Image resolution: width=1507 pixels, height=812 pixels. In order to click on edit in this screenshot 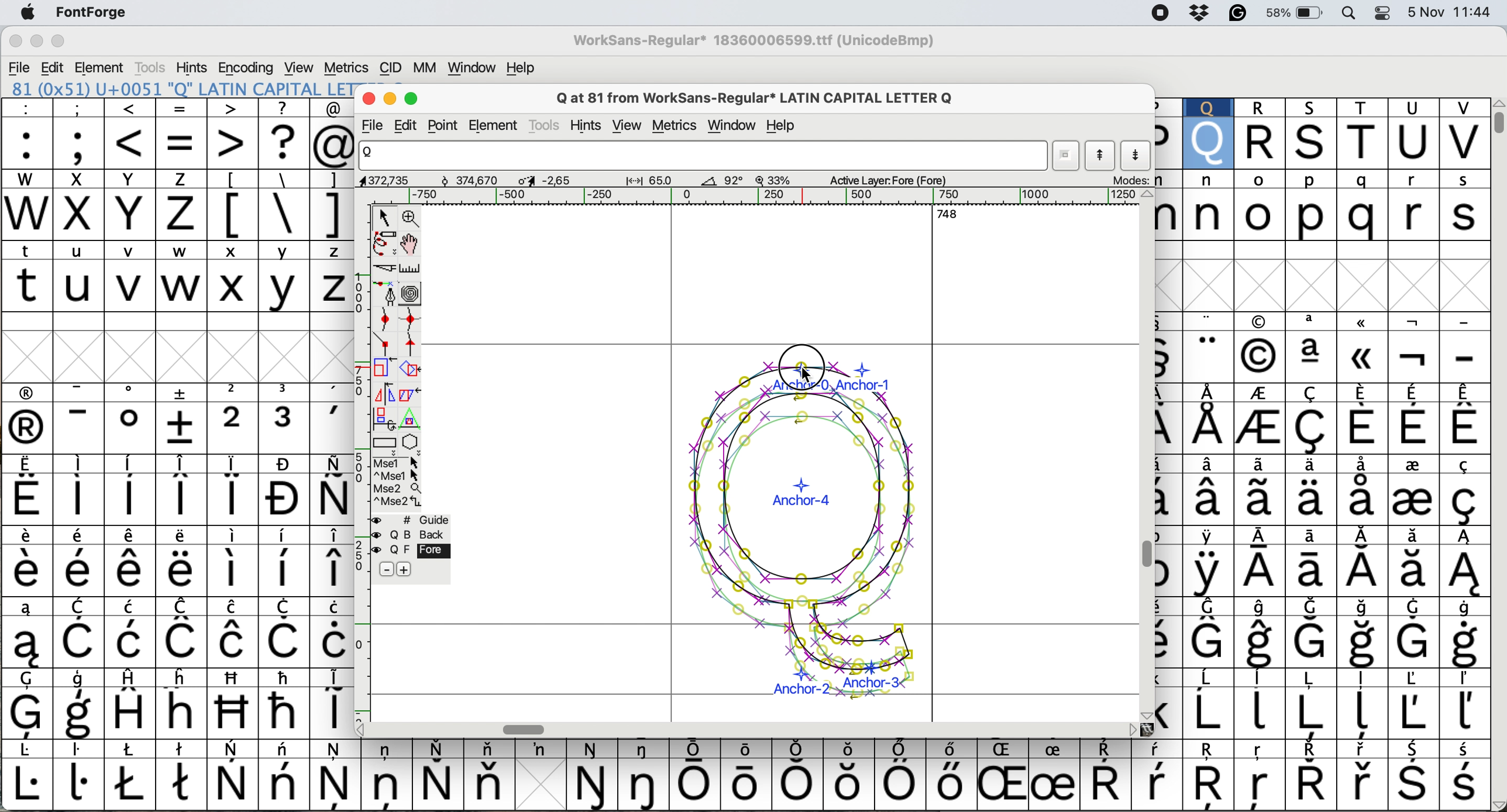, I will do `click(51, 67)`.